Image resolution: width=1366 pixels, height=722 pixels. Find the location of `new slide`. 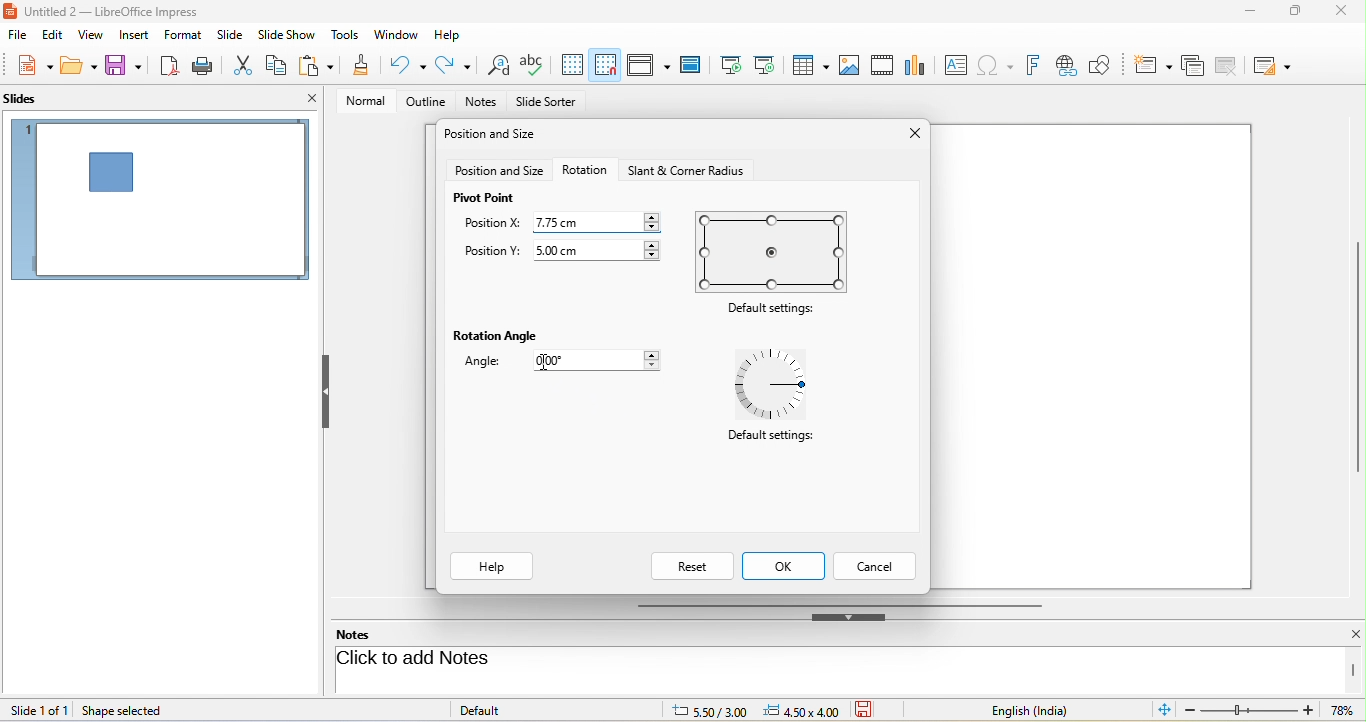

new slide is located at coordinates (1153, 63).